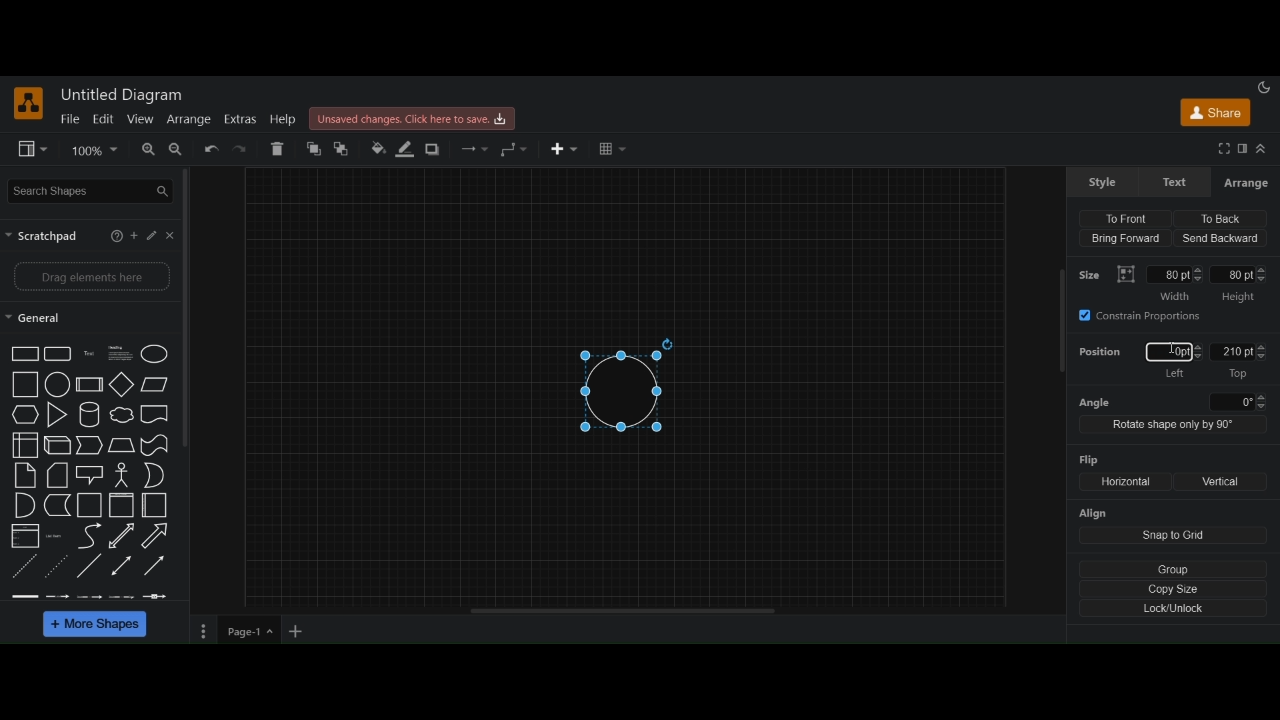  What do you see at coordinates (1223, 149) in the screenshot?
I see `fullscreen` at bounding box center [1223, 149].